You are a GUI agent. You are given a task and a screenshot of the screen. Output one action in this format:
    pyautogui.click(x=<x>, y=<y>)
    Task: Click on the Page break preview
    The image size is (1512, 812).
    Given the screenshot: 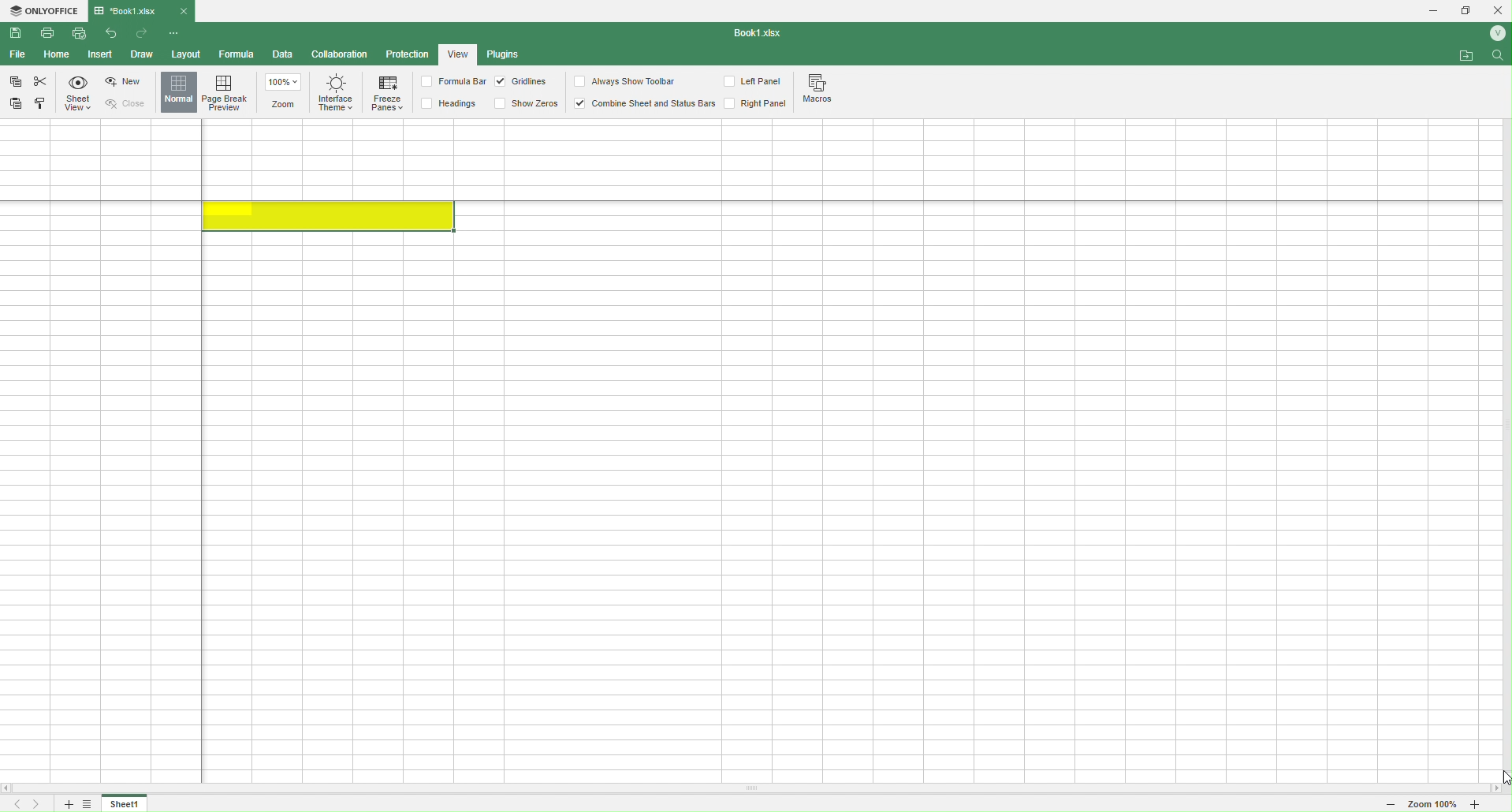 What is the action you would take?
    pyautogui.click(x=229, y=92)
    